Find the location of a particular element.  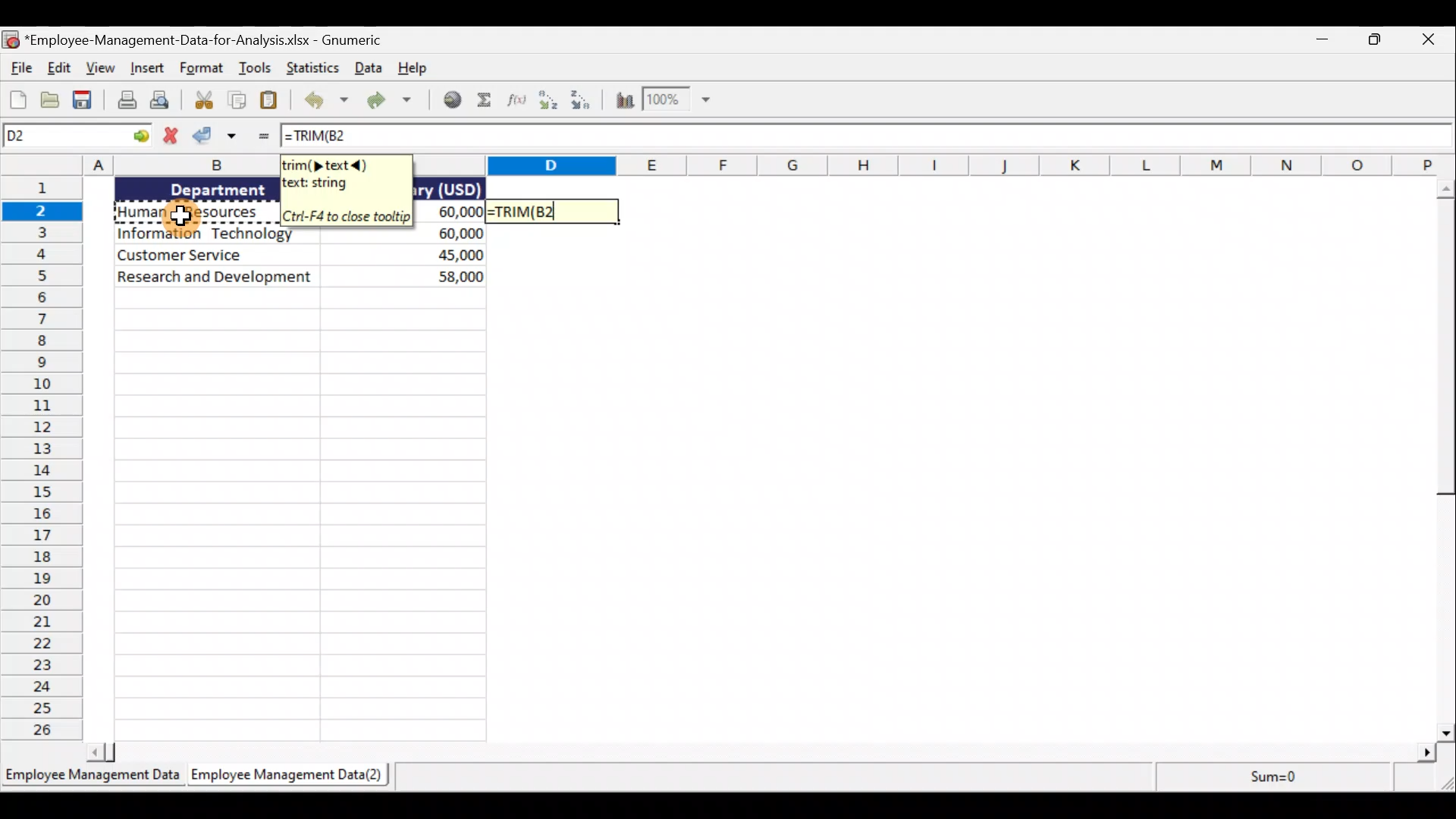

=TRIM(B2 is located at coordinates (318, 138).